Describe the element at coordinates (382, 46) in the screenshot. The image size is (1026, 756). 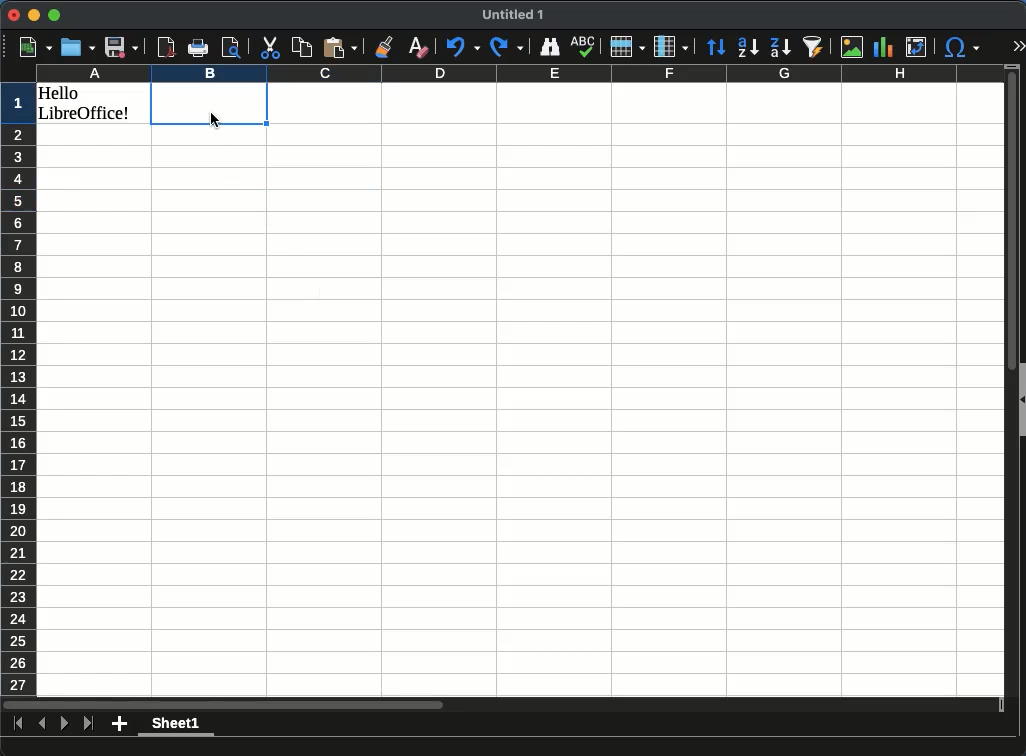
I see `clone formatting` at that location.